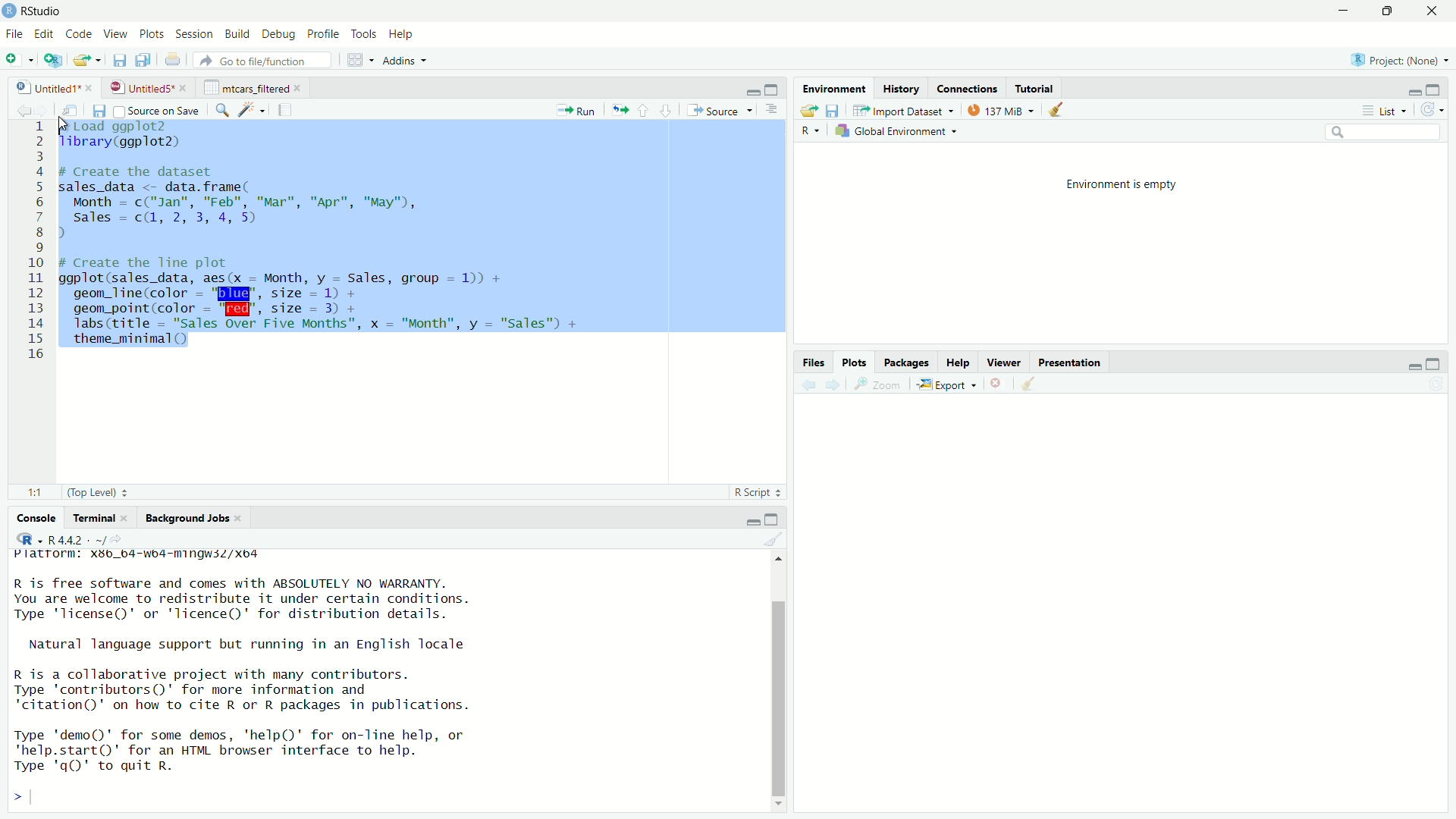  I want to click on close, so click(1435, 11).